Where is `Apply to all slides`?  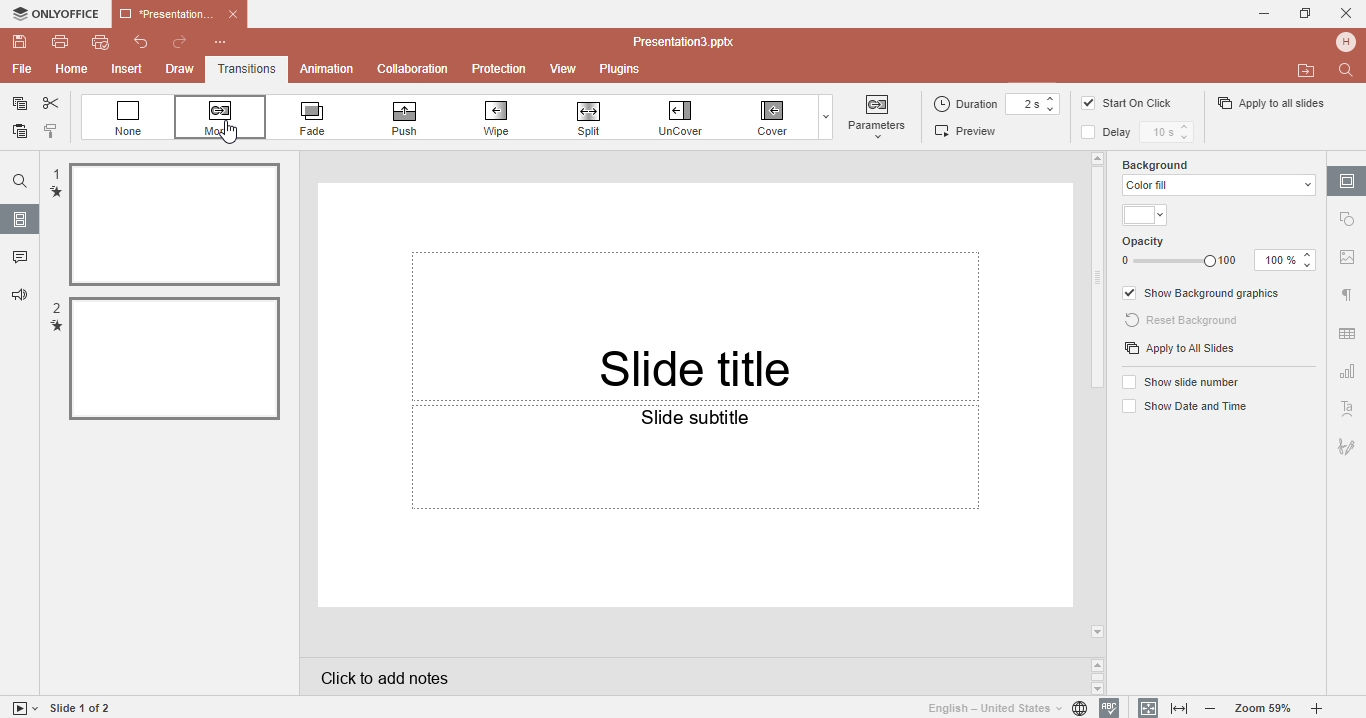 Apply to all slides is located at coordinates (1270, 103).